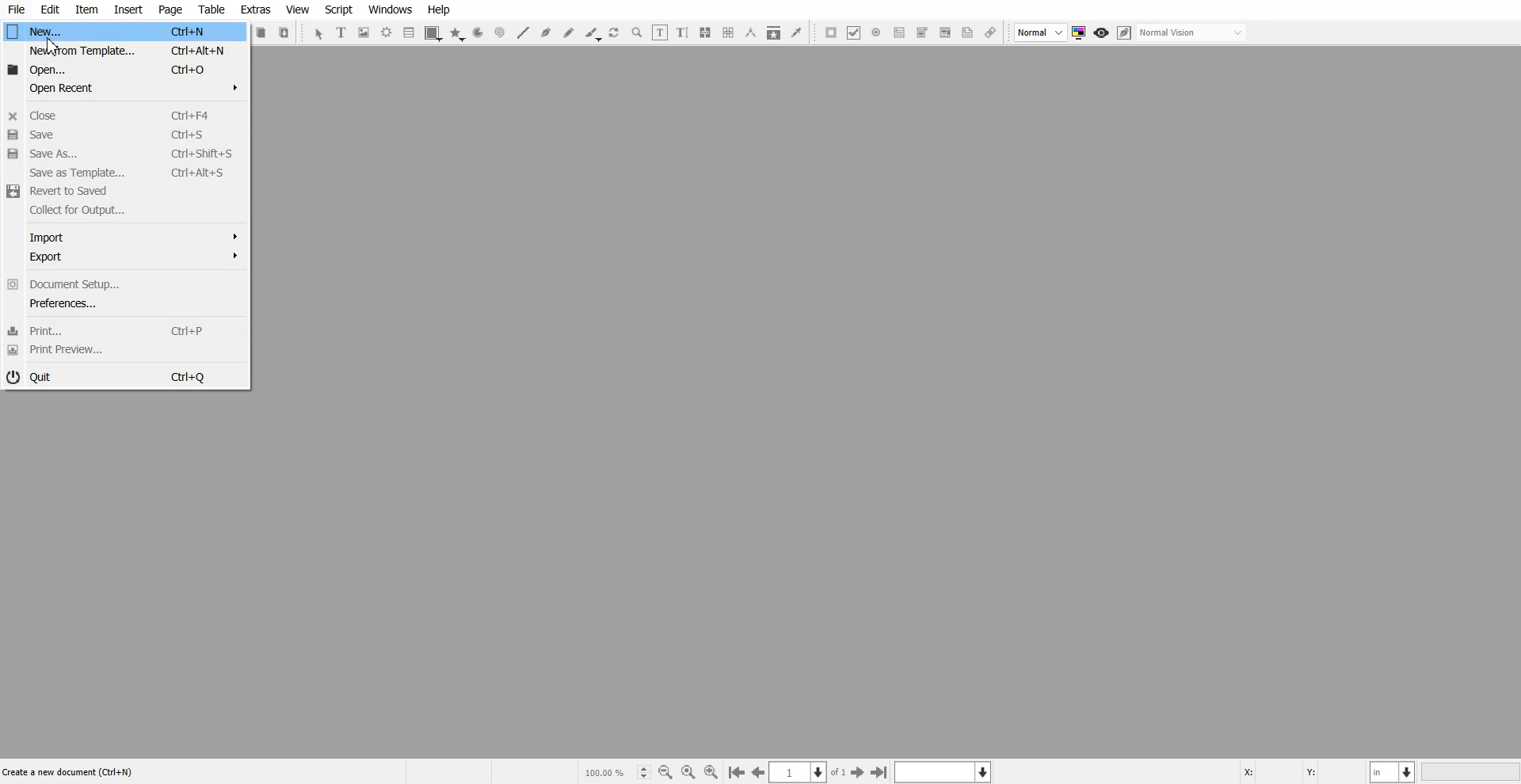 Image resolution: width=1521 pixels, height=784 pixels. Describe the element at coordinates (255, 10) in the screenshot. I see `Extras` at that location.